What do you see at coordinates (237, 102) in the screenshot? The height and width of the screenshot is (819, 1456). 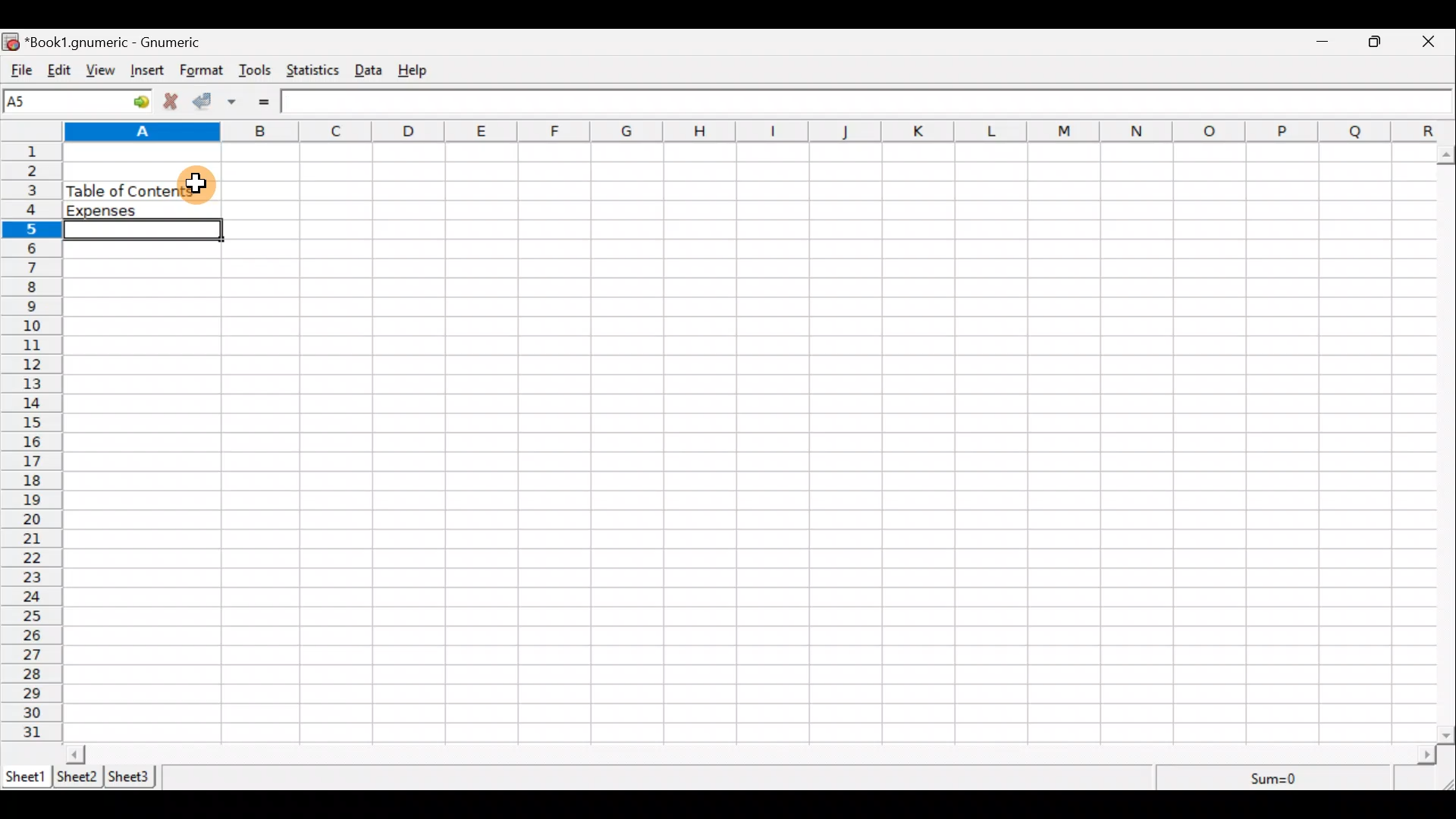 I see `Accept change in multiple cells` at bounding box center [237, 102].